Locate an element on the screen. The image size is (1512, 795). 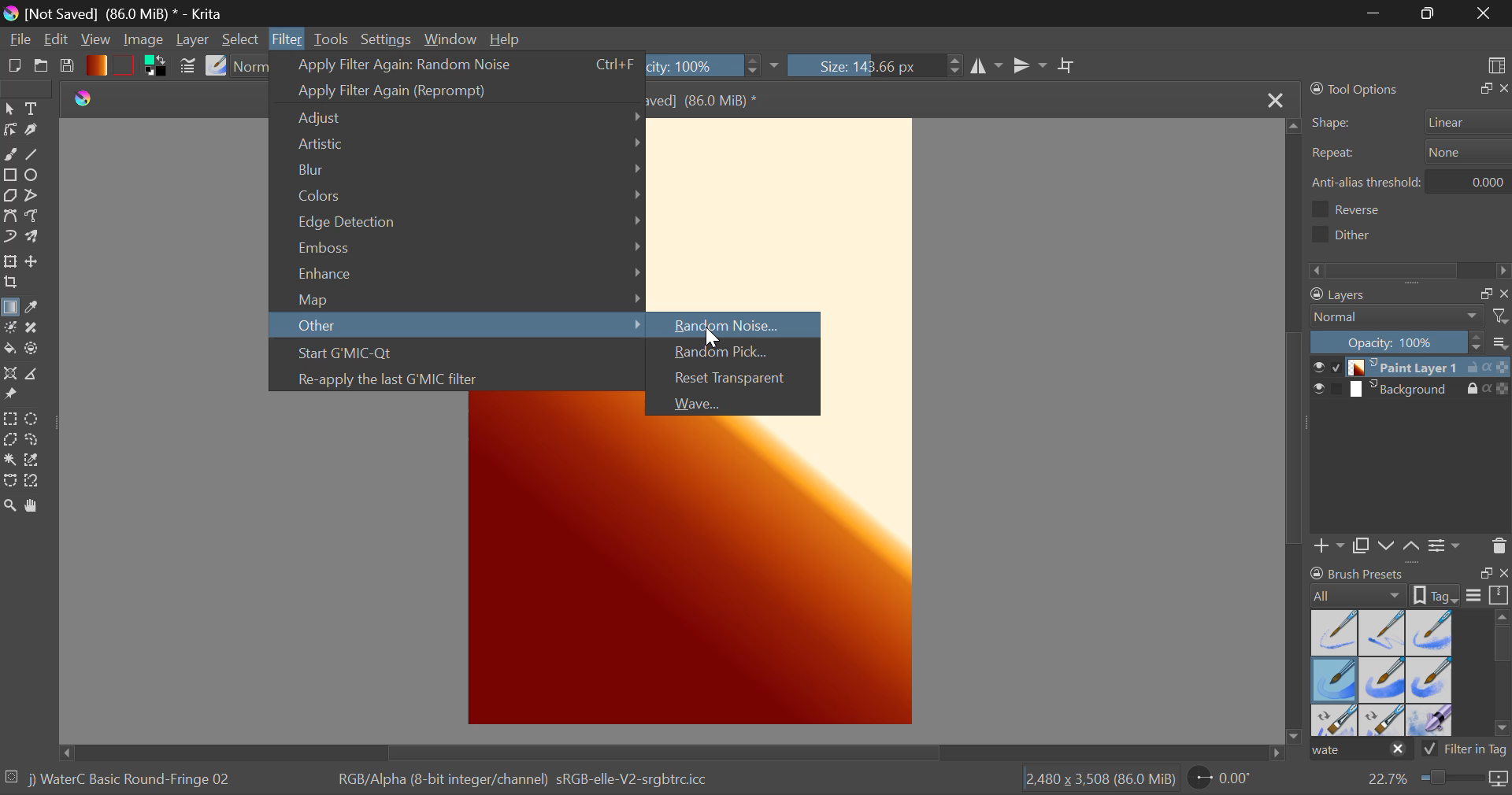
Minimize is located at coordinates (1428, 13).